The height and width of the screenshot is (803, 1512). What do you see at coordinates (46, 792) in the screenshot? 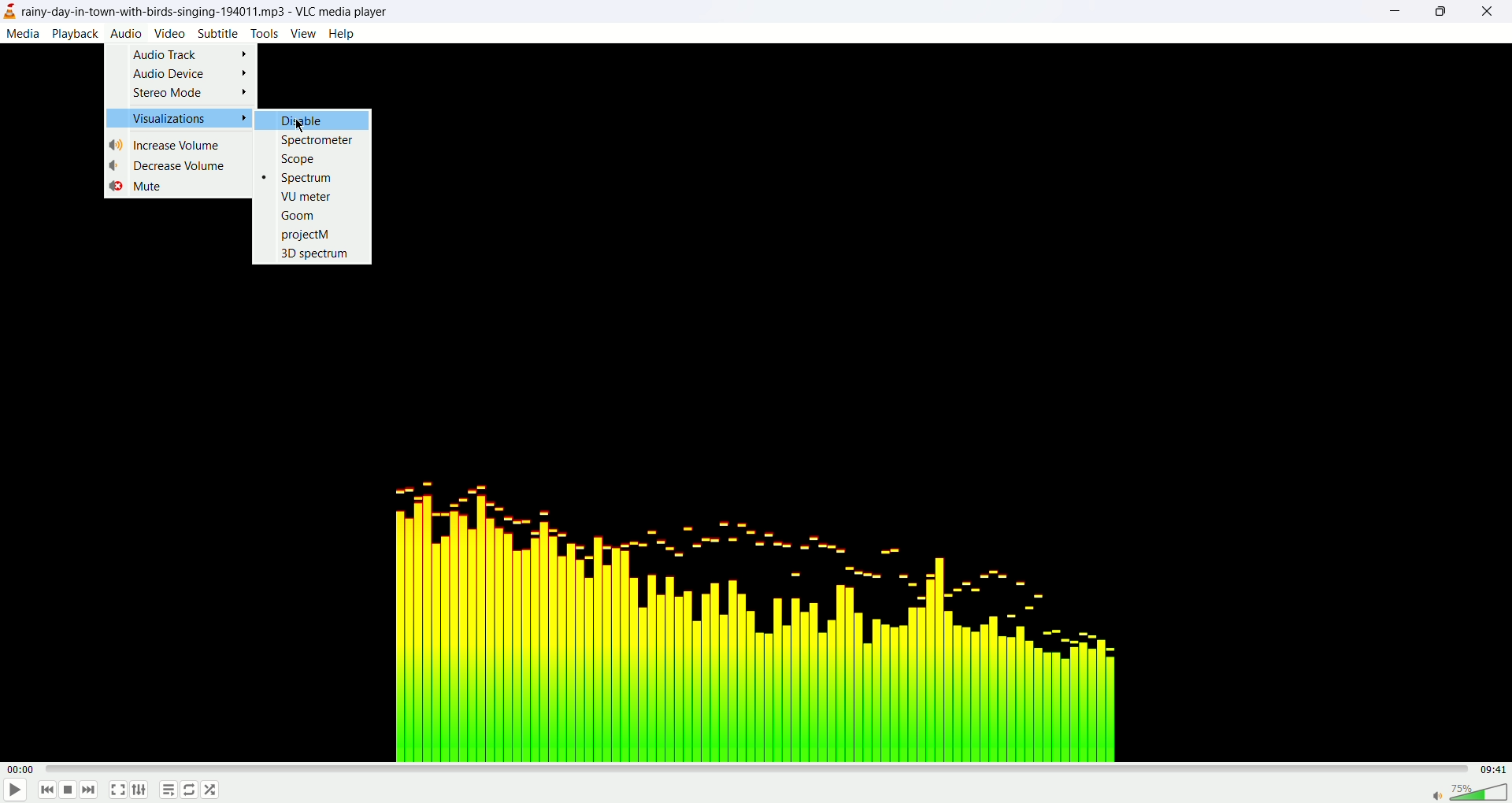
I see `previous` at bounding box center [46, 792].